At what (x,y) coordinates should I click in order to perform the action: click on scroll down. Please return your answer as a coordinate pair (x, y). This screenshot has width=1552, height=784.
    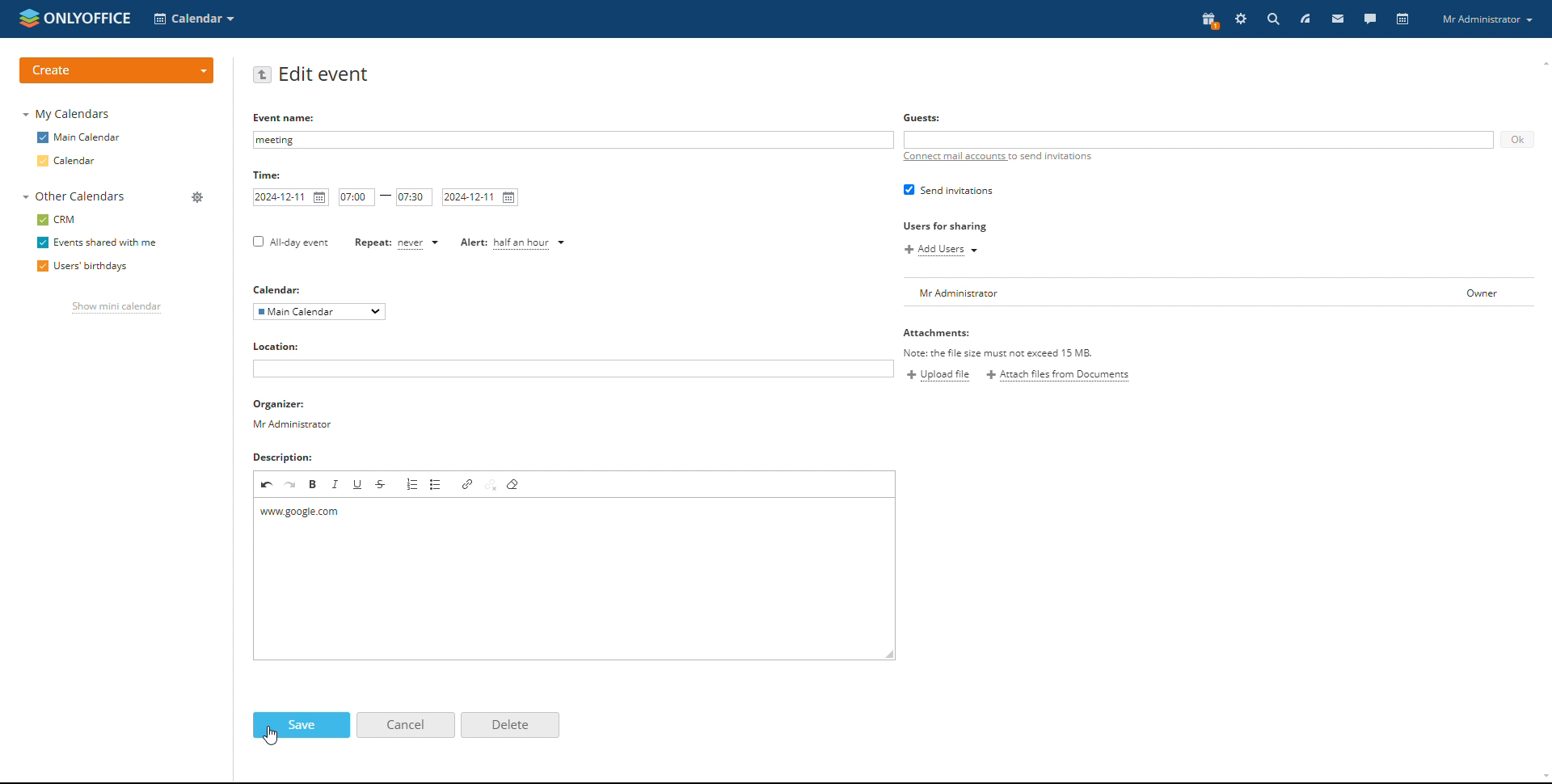
    Looking at the image, I should click on (1542, 778).